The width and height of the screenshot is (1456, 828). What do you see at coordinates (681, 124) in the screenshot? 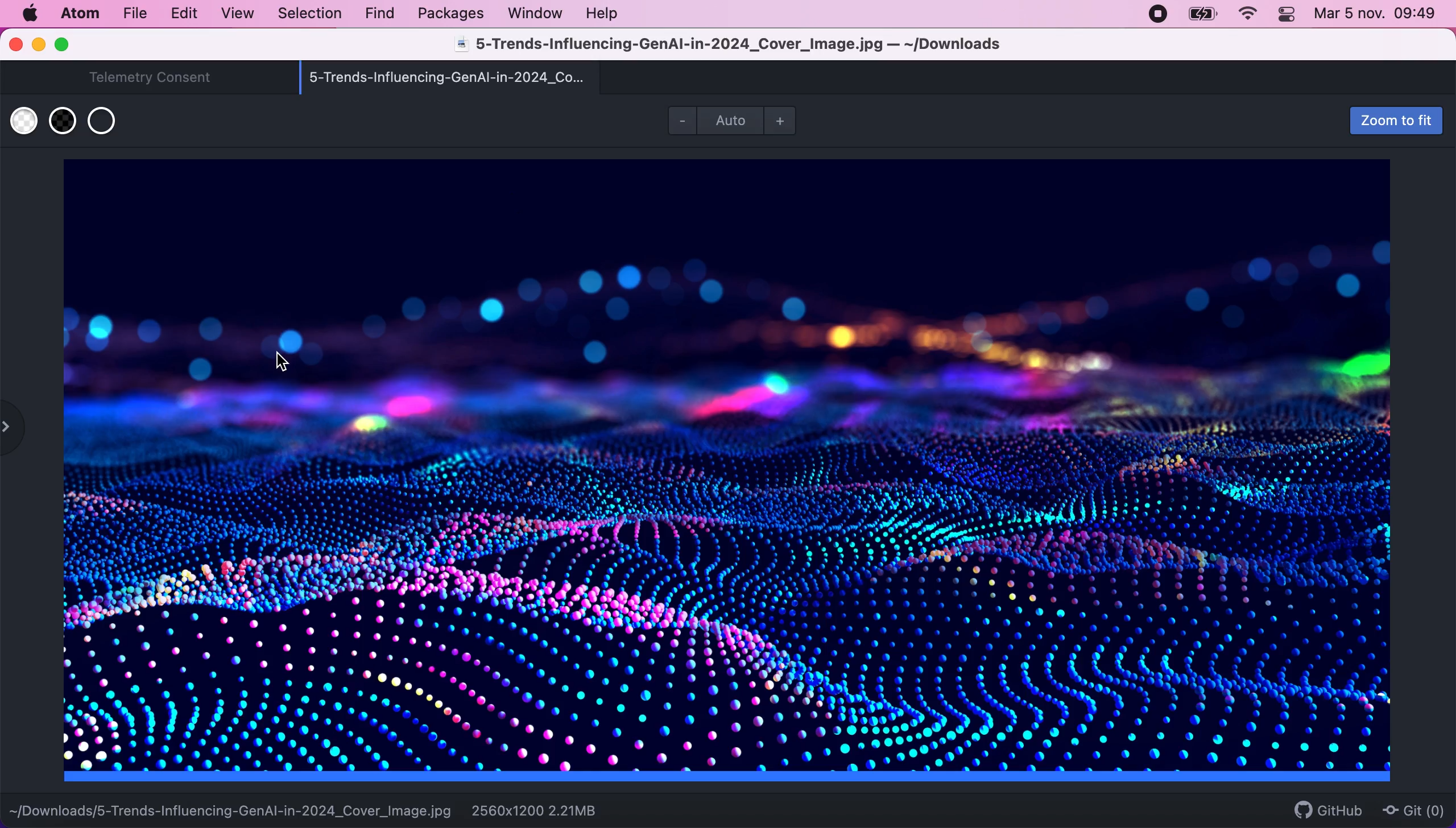
I see `zoom in` at bounding box center [681, 124].